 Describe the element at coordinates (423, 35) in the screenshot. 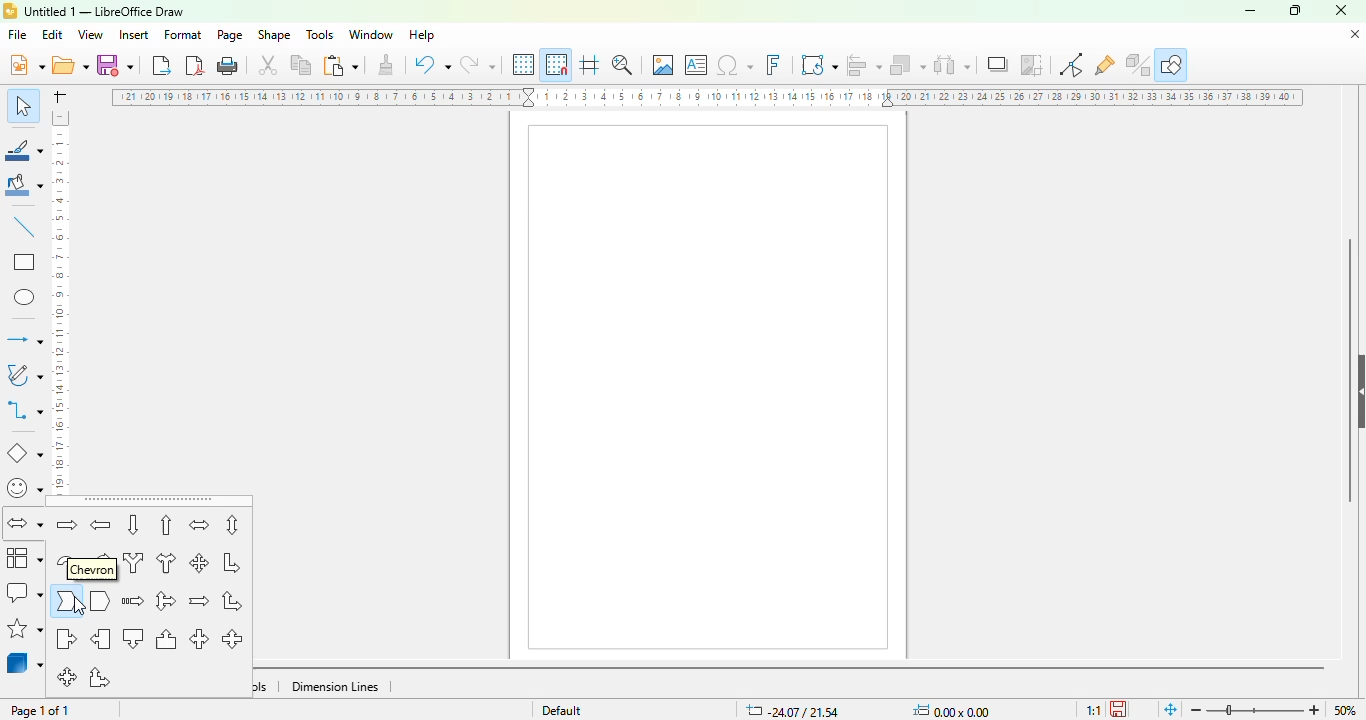

I see `help` at that location.